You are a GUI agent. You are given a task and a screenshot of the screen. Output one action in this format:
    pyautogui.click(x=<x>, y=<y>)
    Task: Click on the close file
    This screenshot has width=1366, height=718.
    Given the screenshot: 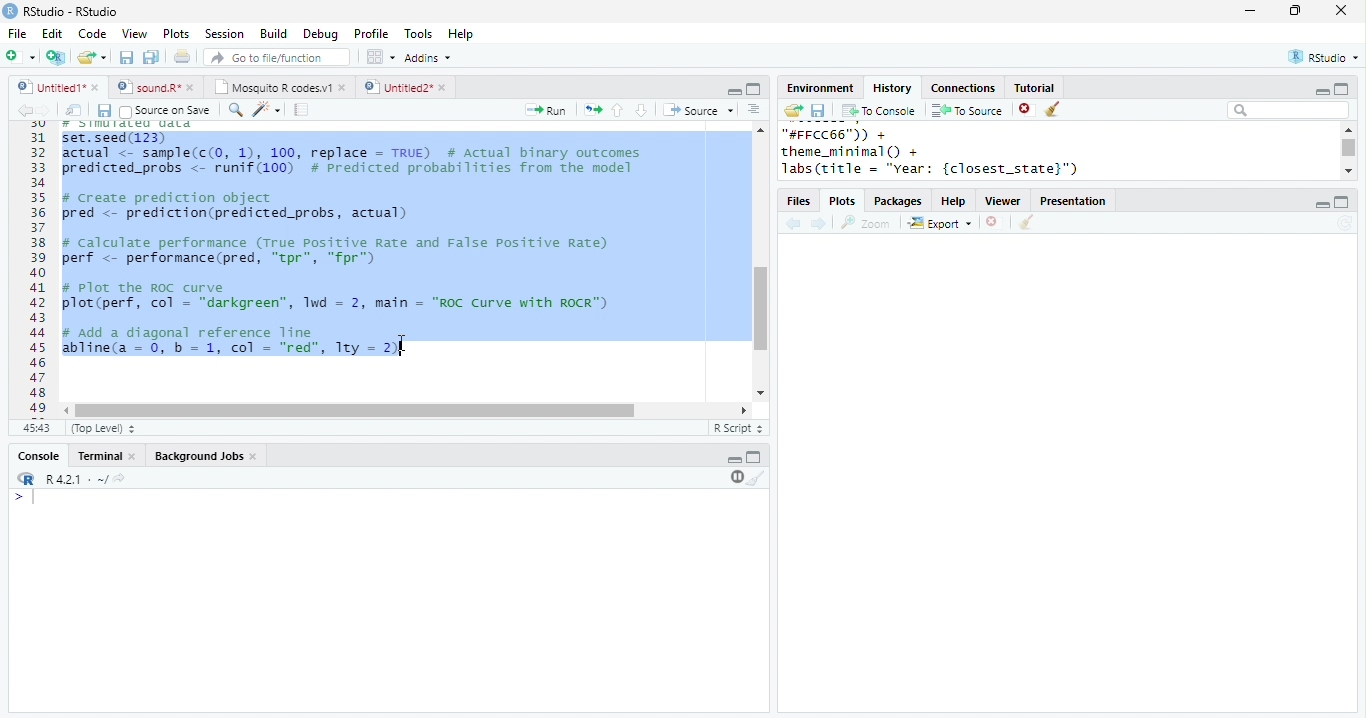 What is the action you would take?
    pyautogui.click(x=1027, y=110)
    